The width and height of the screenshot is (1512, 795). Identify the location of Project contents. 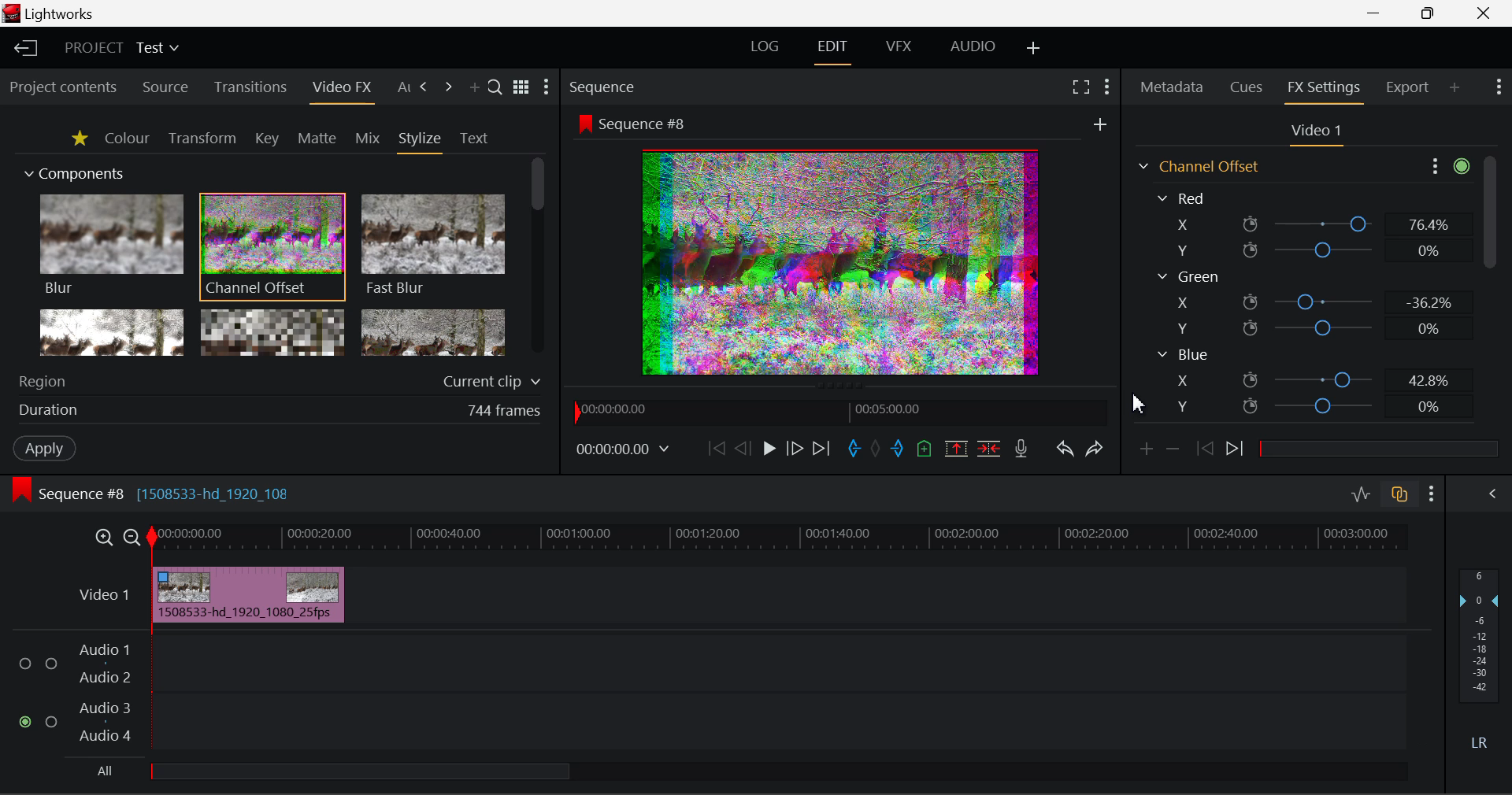
(62, 88).